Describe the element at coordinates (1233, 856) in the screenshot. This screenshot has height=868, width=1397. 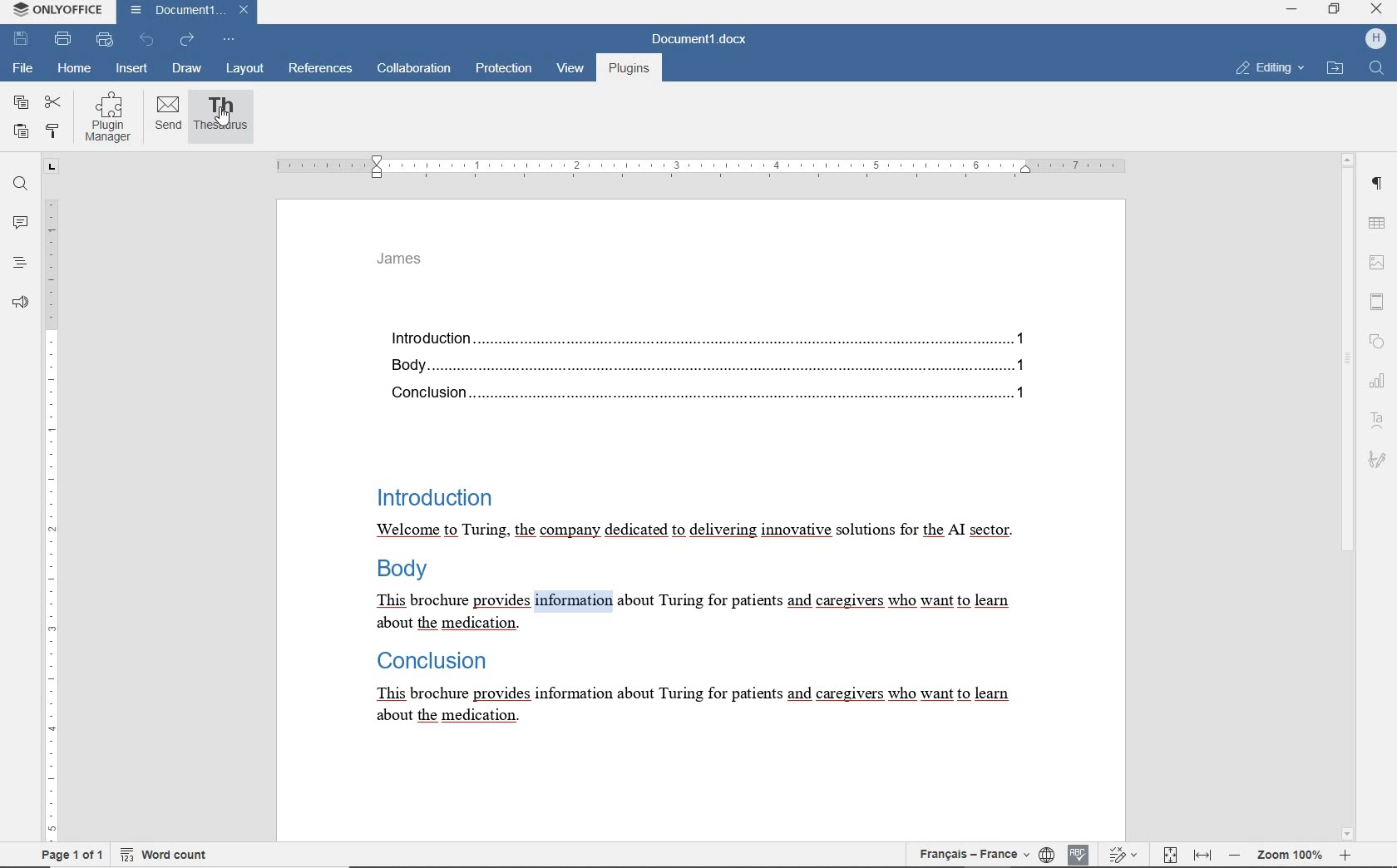
I see `zoom out` at that location.